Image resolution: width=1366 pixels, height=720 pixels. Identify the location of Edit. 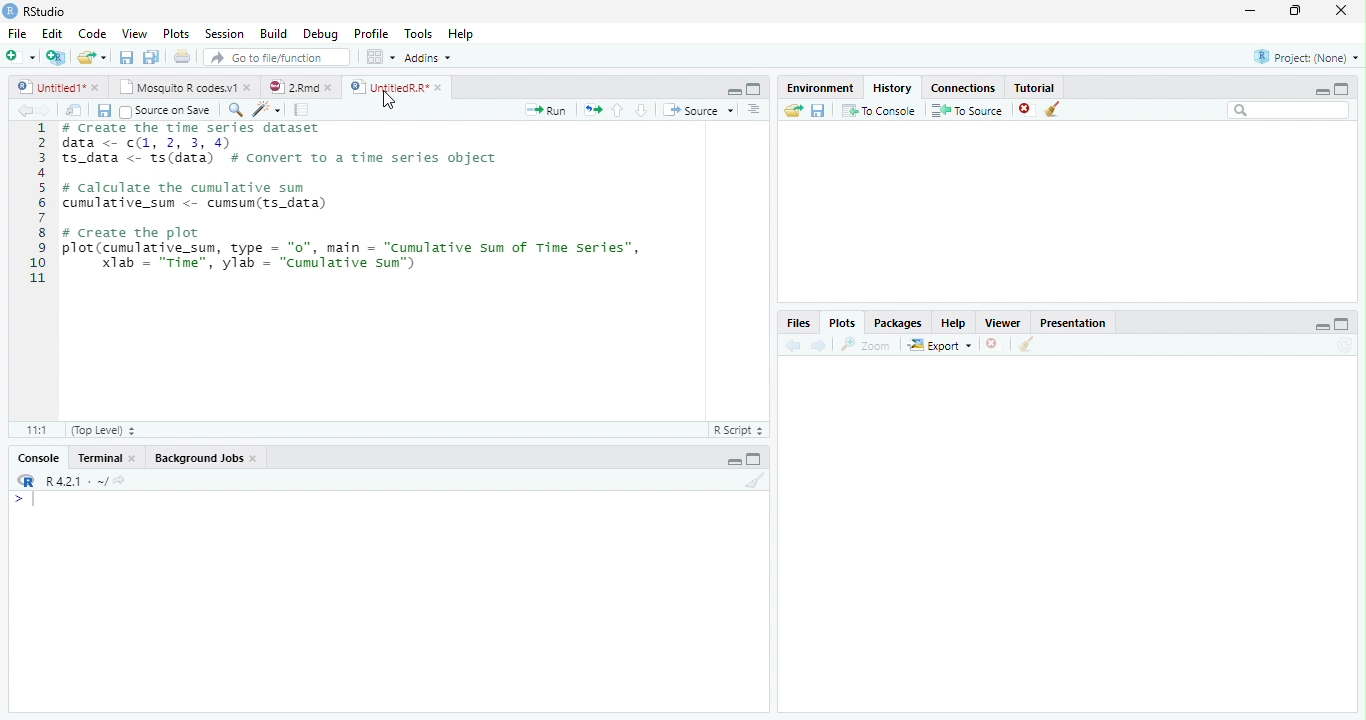
(55, 36).